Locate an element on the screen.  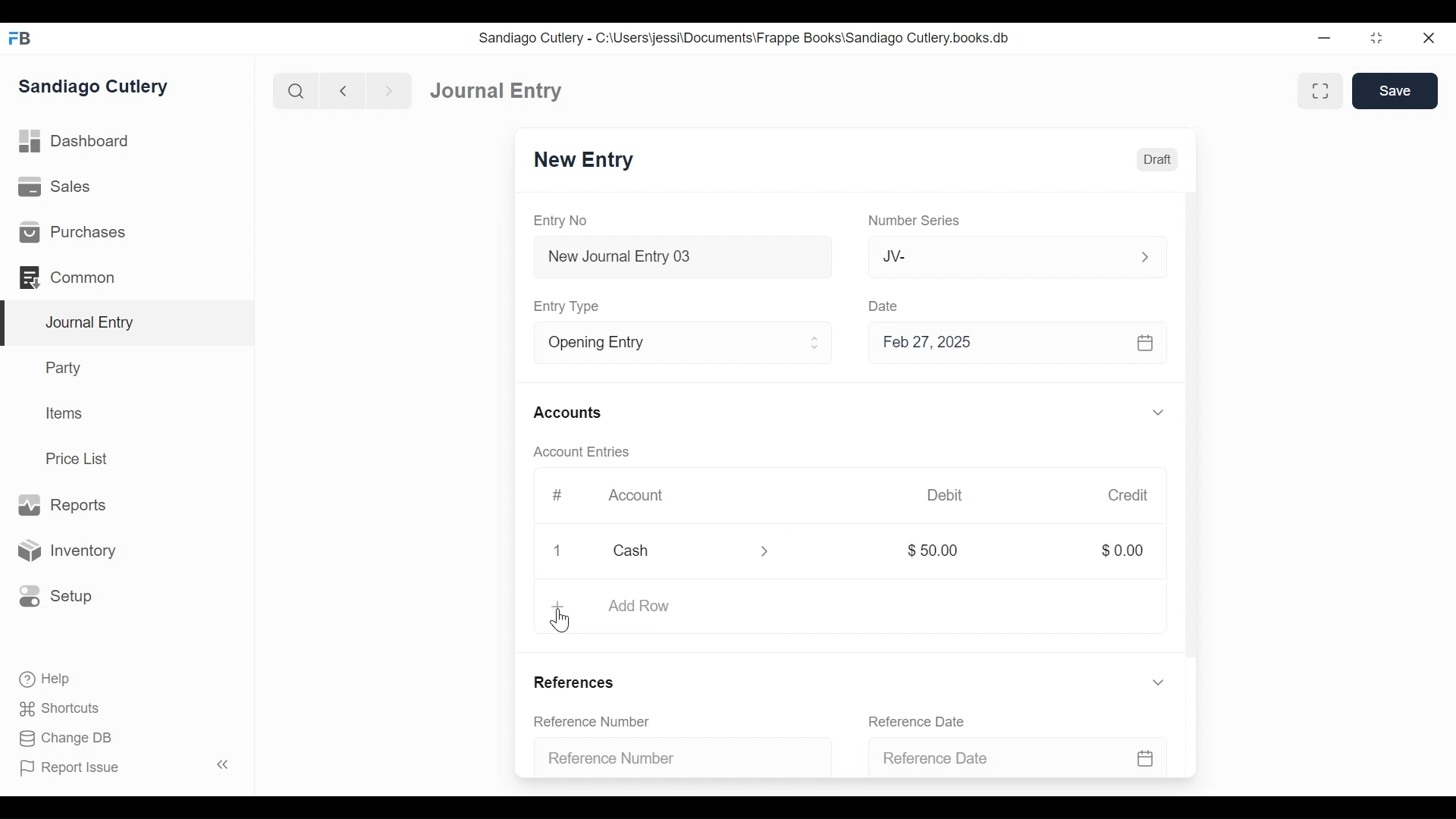
cursor is located at coordinates (564, 623).